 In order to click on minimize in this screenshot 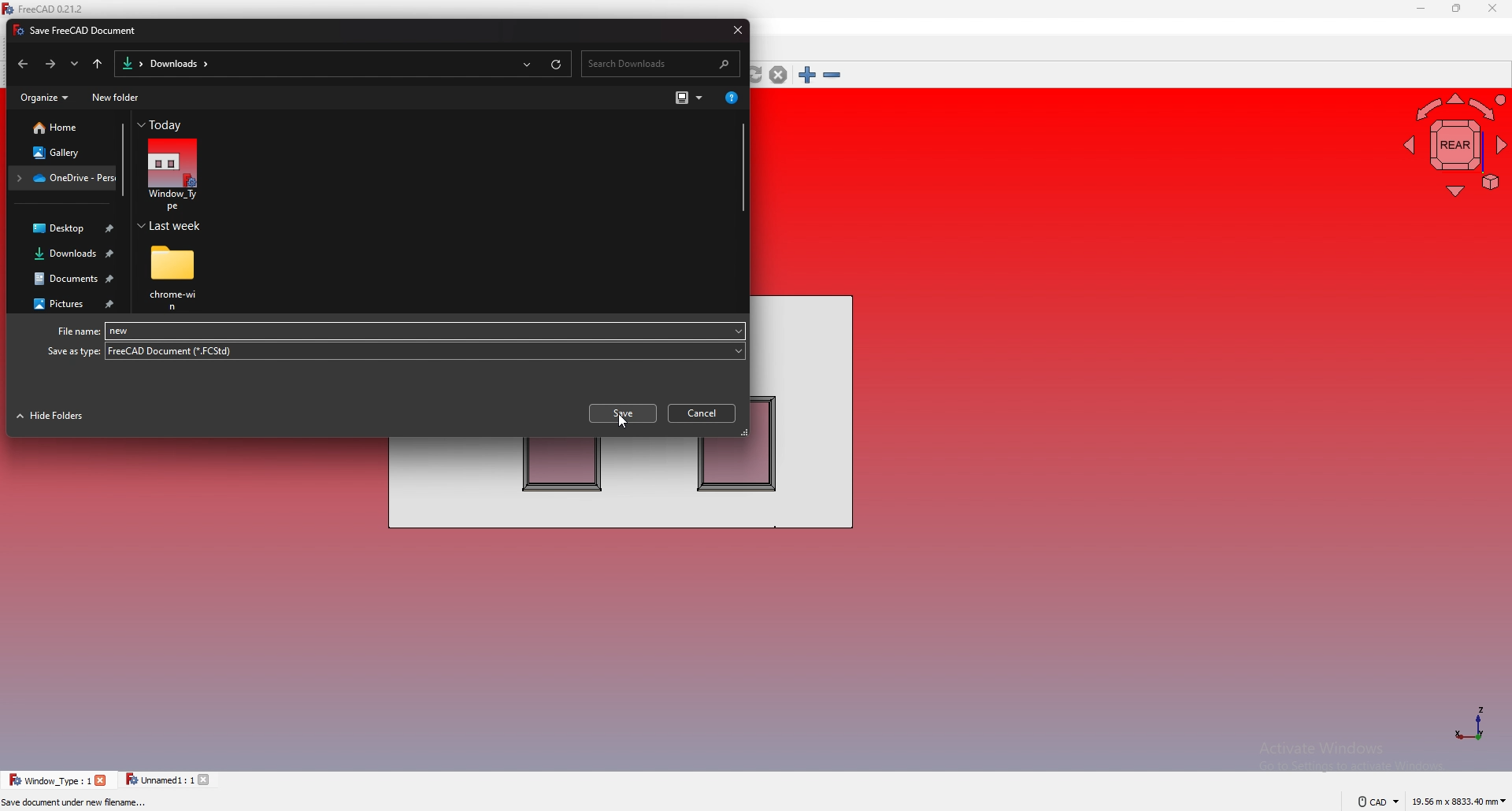, I will do `click(1421, 9)`.